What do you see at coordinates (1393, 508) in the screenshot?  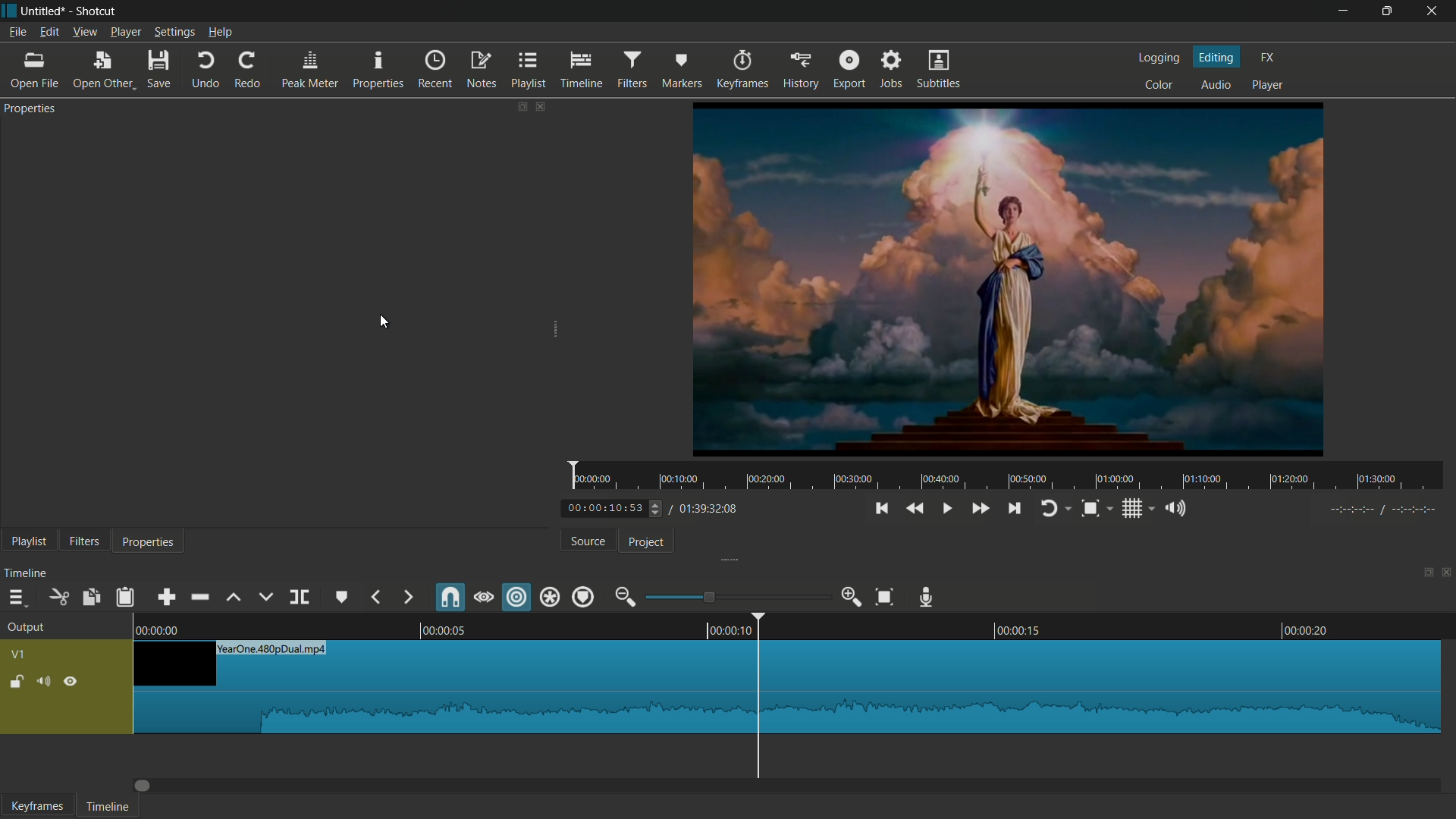 I see `-----//` at bounding box center [1393, 508].